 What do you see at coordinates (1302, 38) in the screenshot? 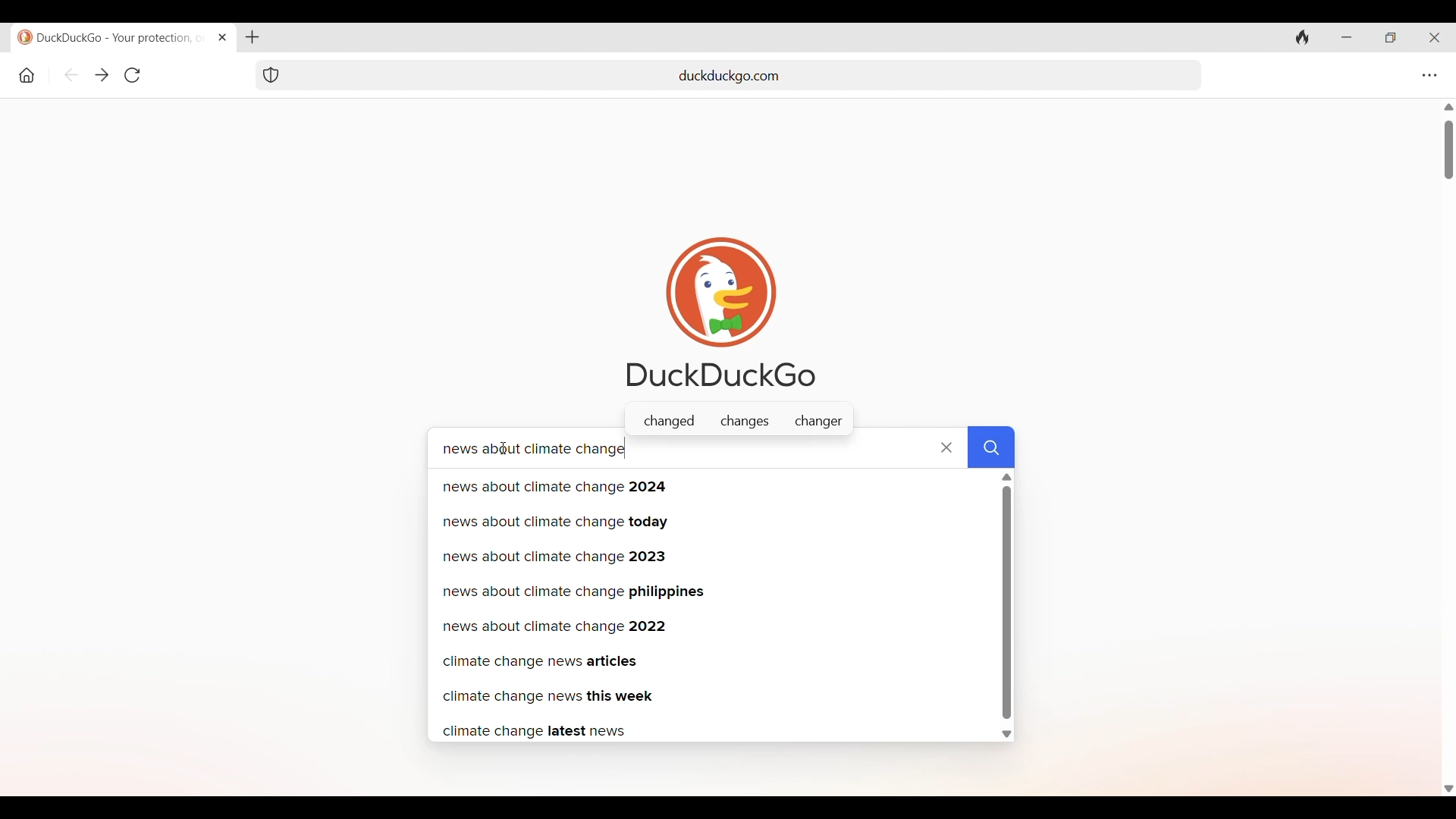
I see `Clear history` at bounding box center [1302, 38].